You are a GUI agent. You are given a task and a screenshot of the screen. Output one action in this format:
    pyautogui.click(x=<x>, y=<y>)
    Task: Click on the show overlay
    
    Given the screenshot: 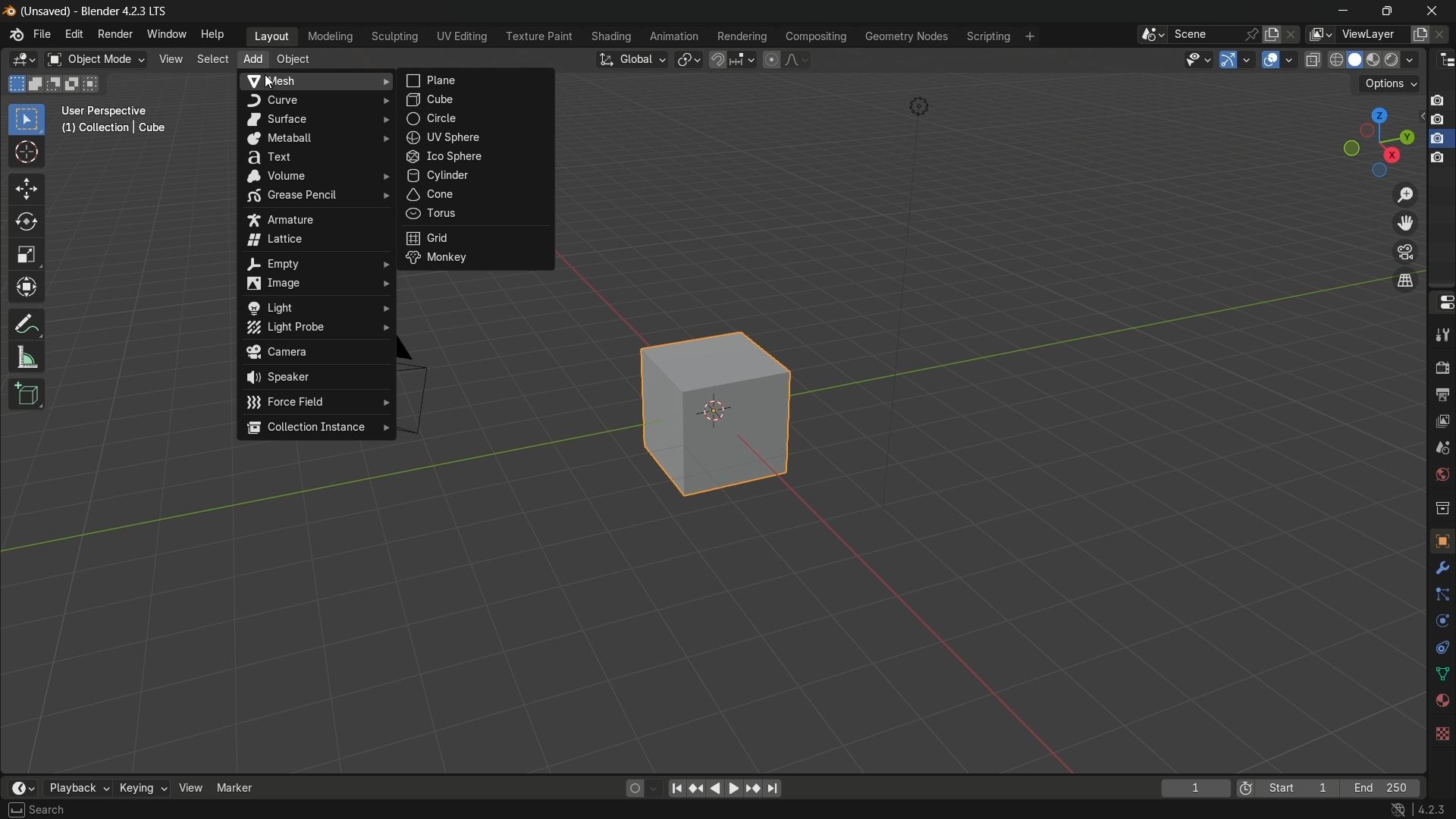 What is the action you would take?
    pyautogui.click(x=1270, y=60)
    